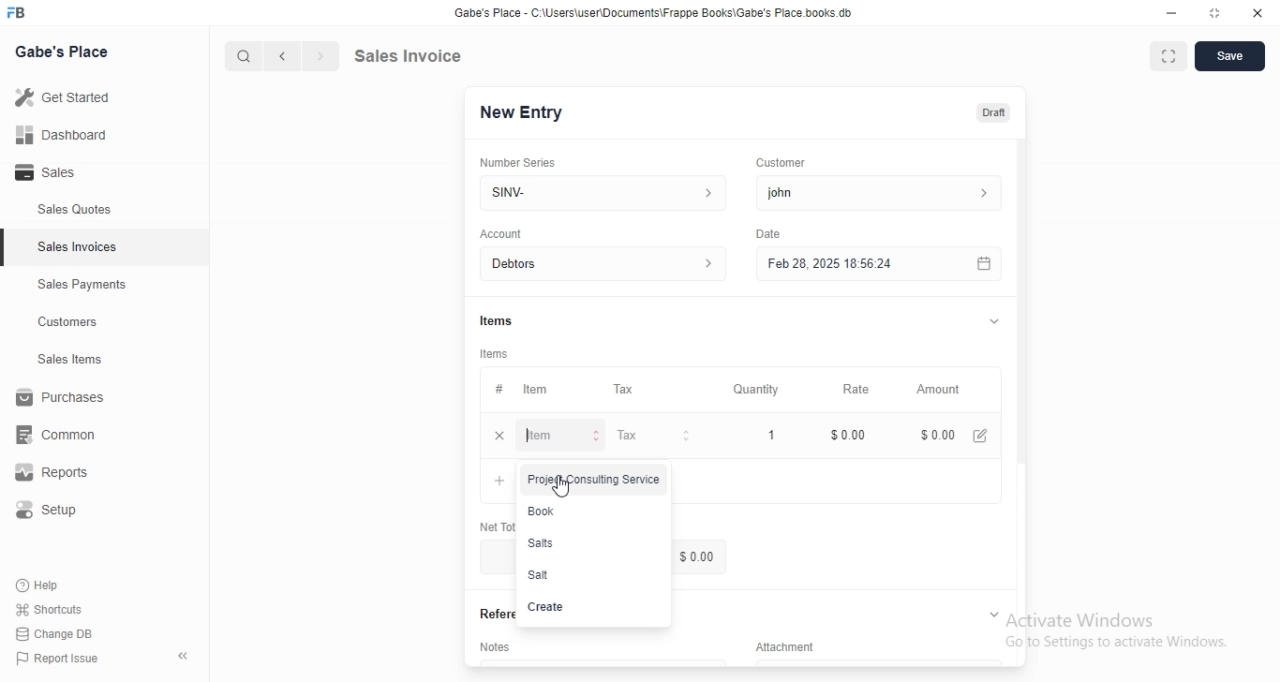  What do you see at coordinates (562, 437) in the screenshot?
I see `Item` at bounding box center [562, 437].